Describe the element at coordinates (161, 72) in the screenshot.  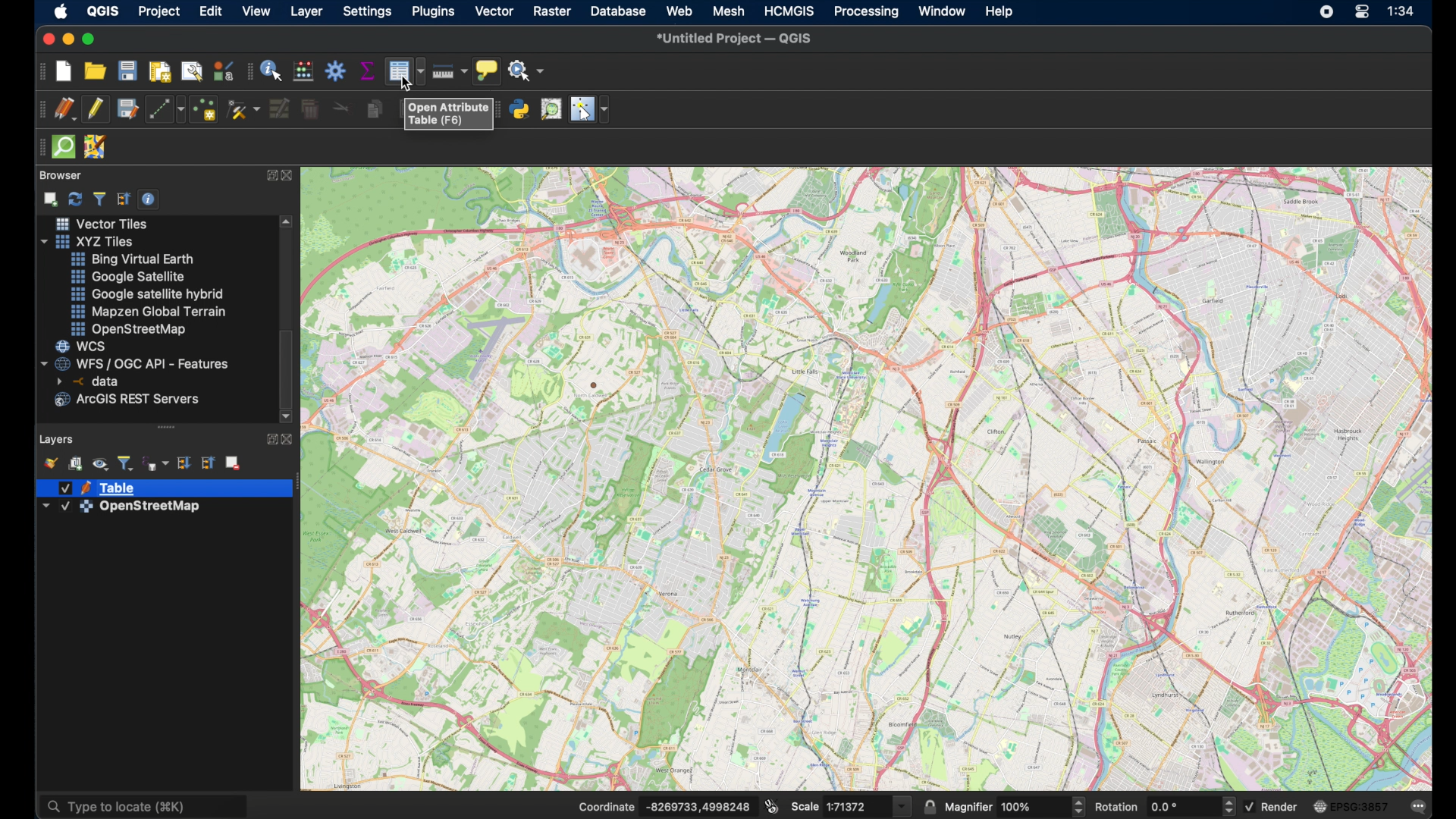
I see `new paint layout` at that location.